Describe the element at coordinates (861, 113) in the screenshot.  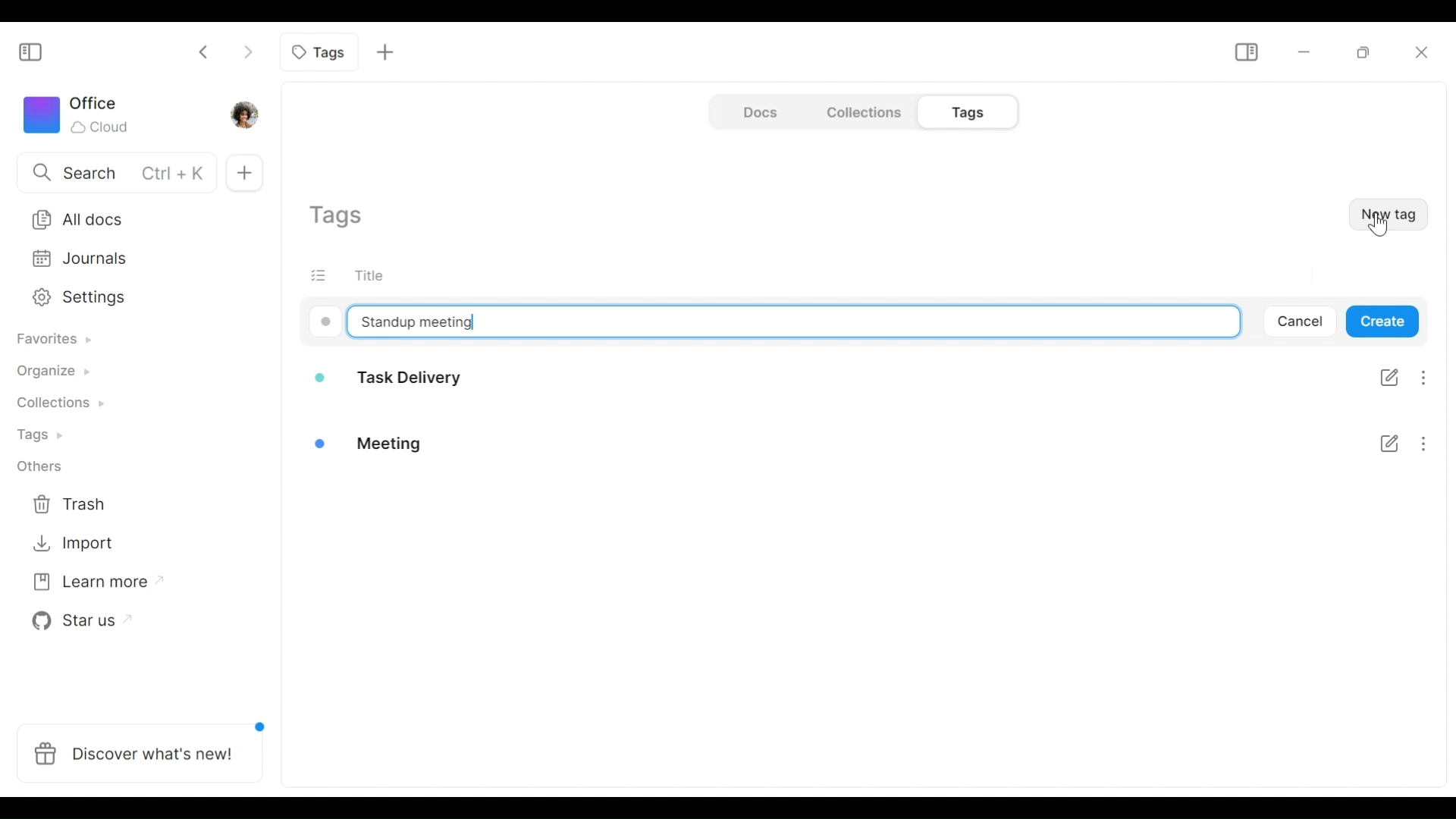
I see `Collections` at that location.